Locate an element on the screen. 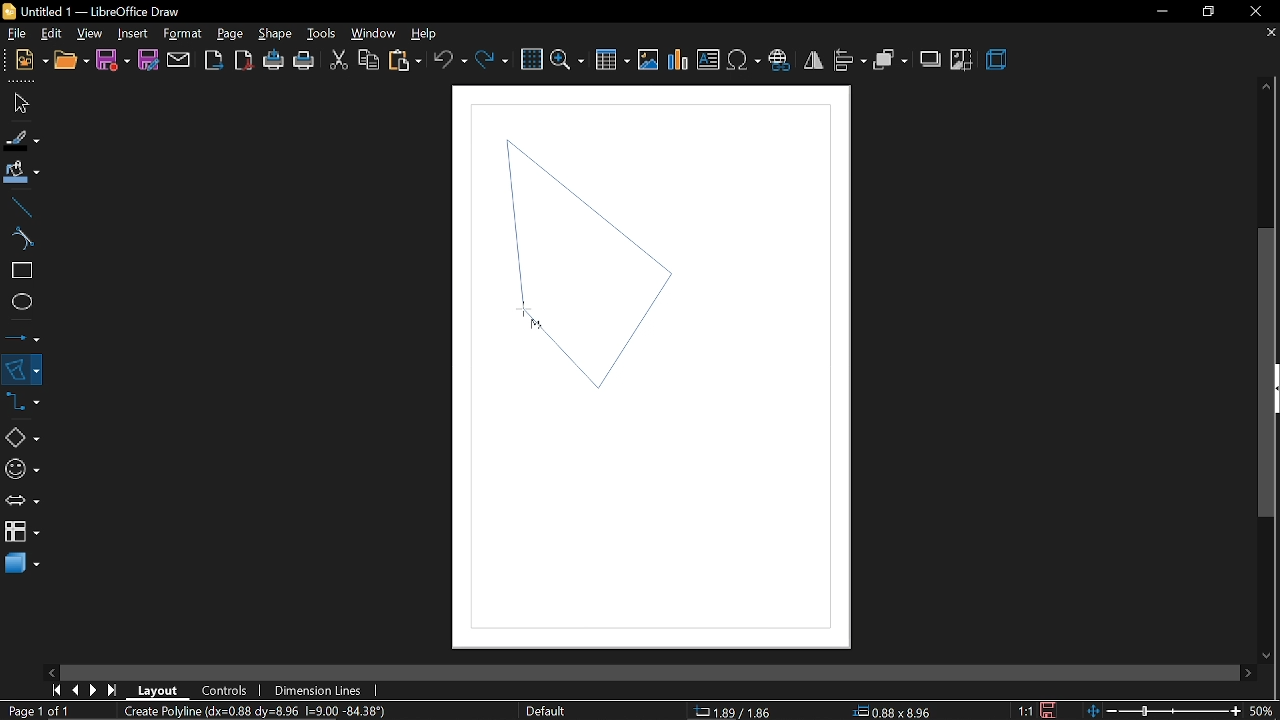 This screenshot has width=1280, height=720. tools is located at coordinates (321, 34).